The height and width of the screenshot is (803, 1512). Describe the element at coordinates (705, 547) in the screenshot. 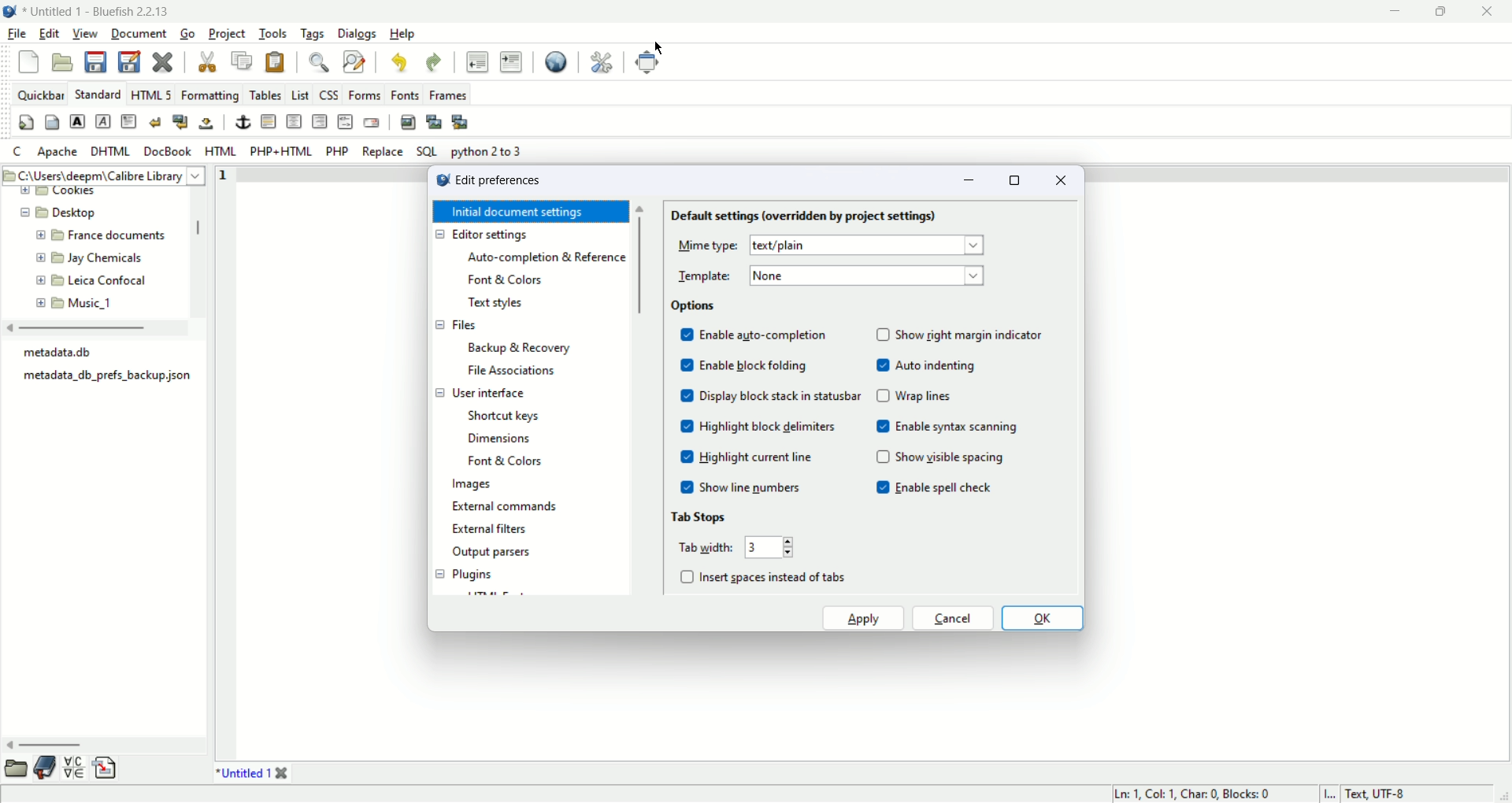

I see `tab width` at that location.